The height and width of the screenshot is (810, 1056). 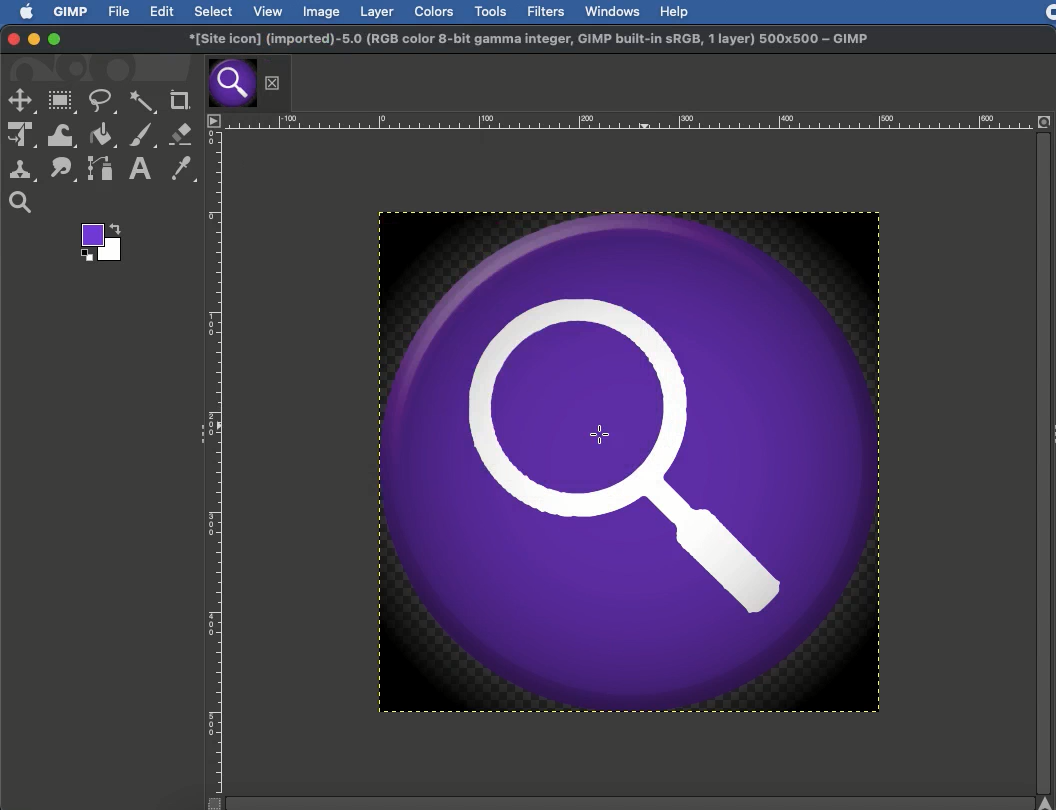 What do you see at coordinates (103, 102) in the screenshot?
I see `Freeform selection` at bounding box center [103, 102].